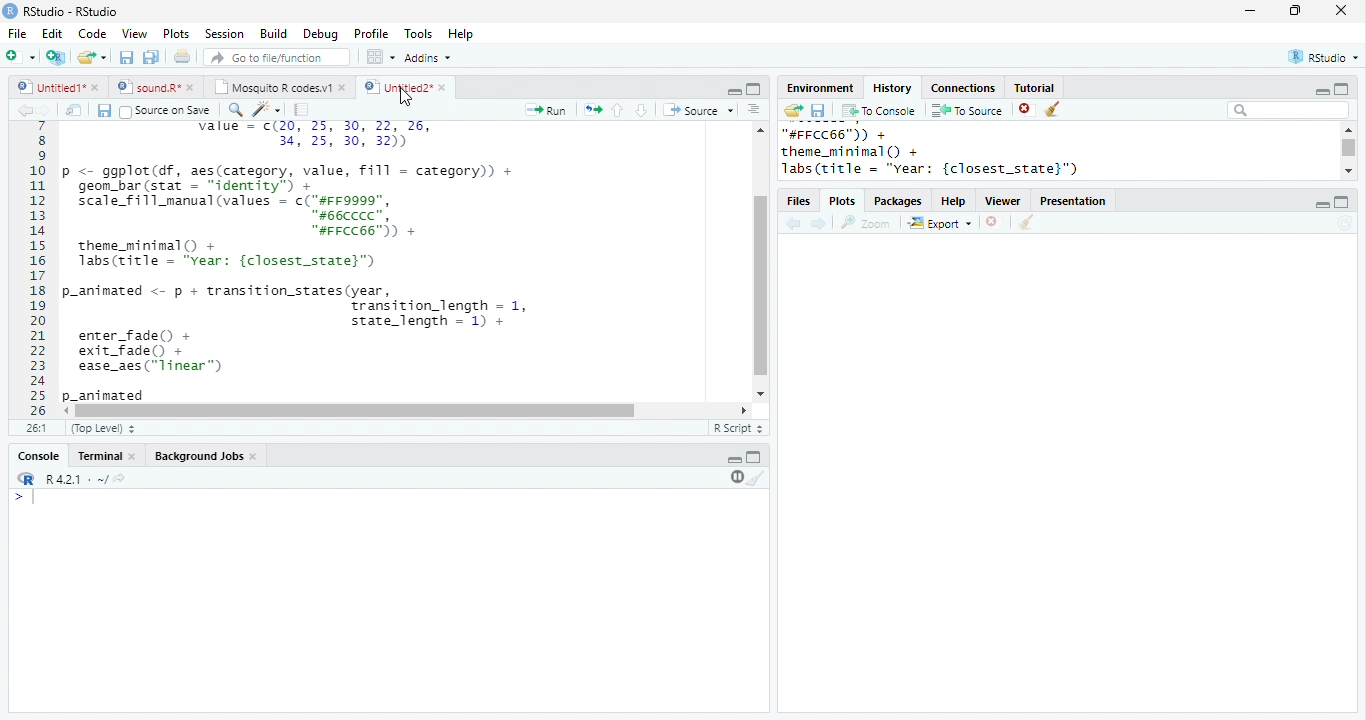 The width and height of the screenshot is (1366, 720). I want to click on RStudio, so click(1324, 56).